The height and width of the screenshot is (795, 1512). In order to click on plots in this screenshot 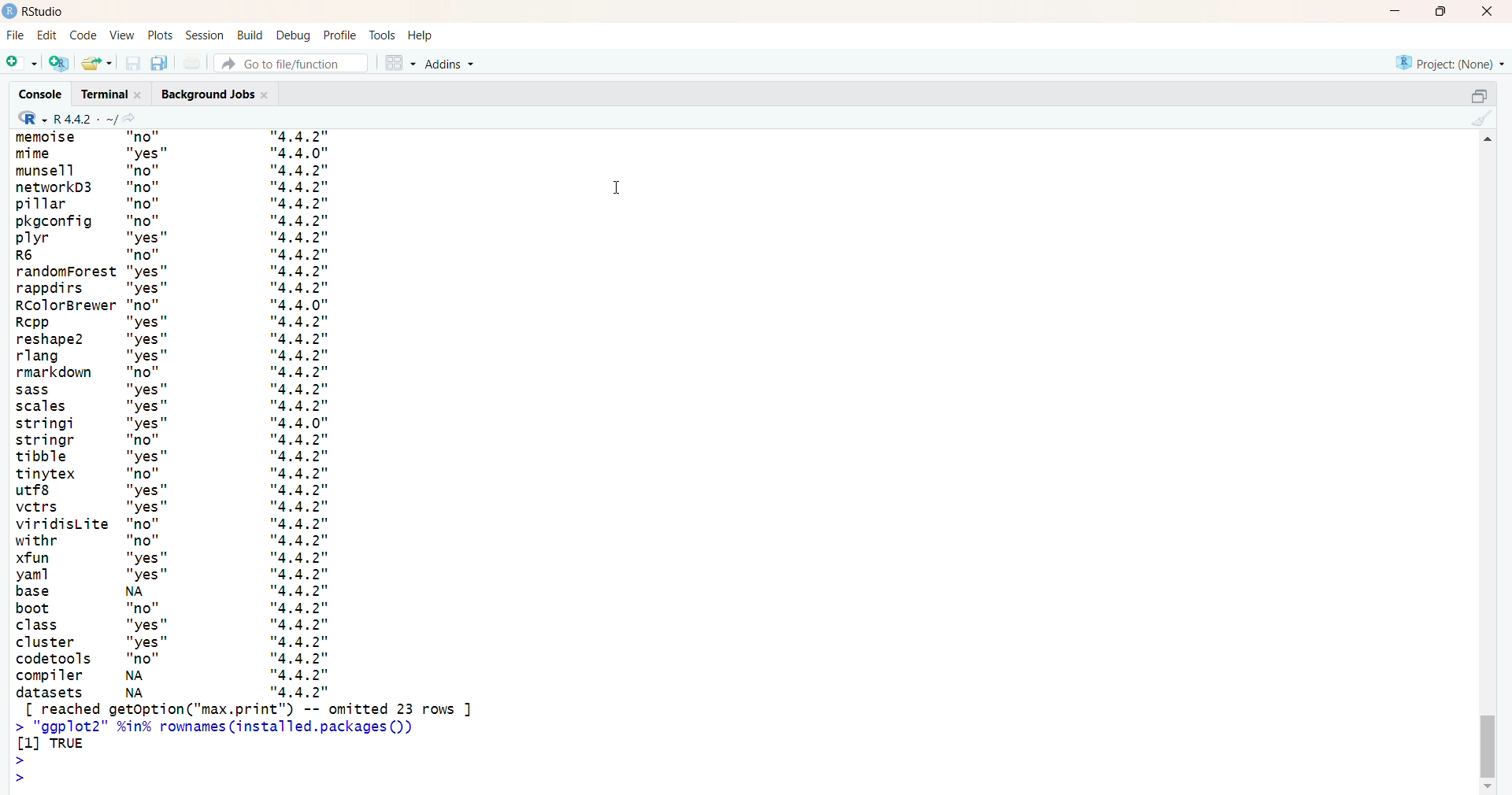, I will do `click(158, 34)`.